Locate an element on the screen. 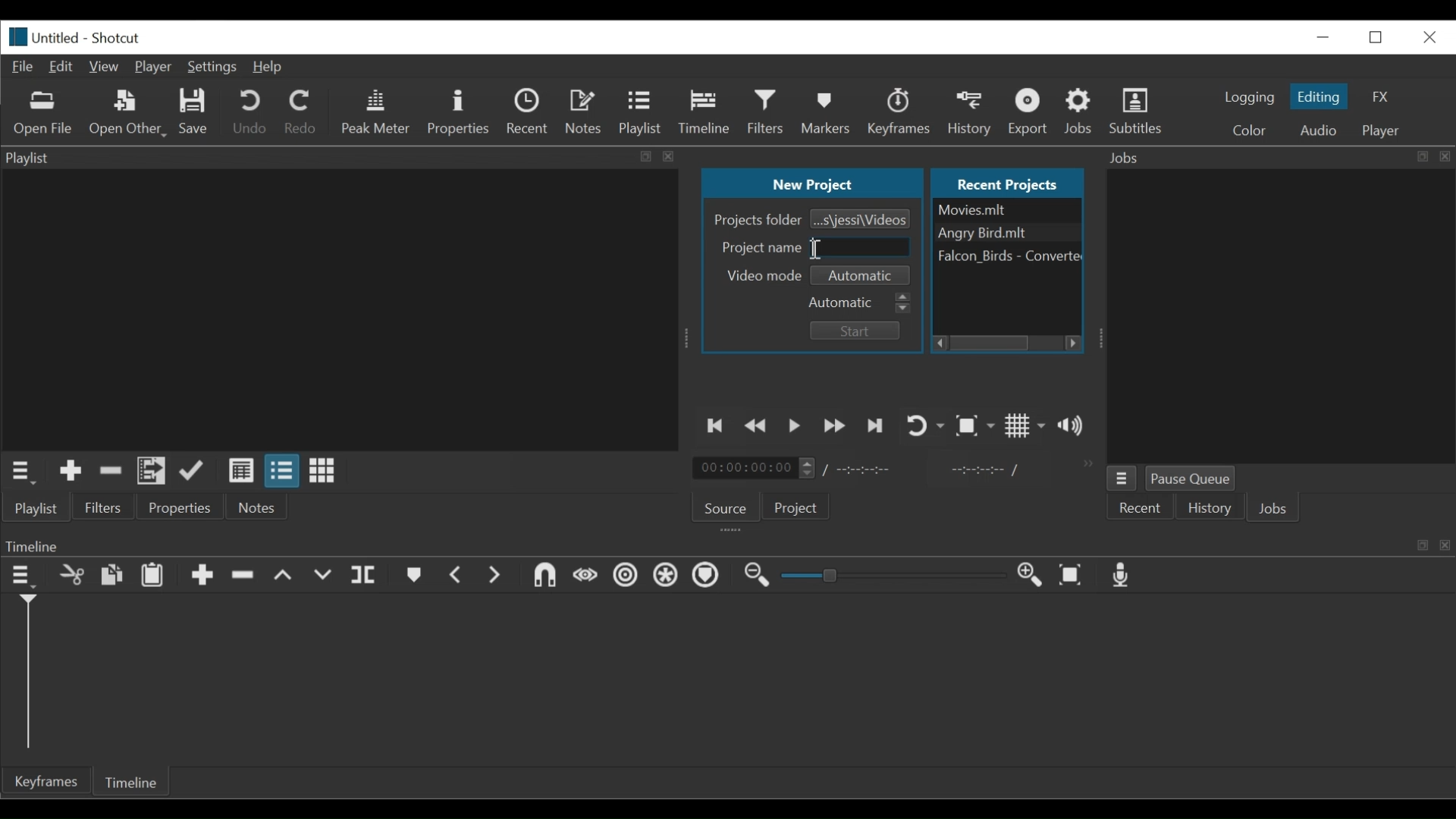 This screenshot has height=819, width=1456. In point is located at coordinates (987, 469).